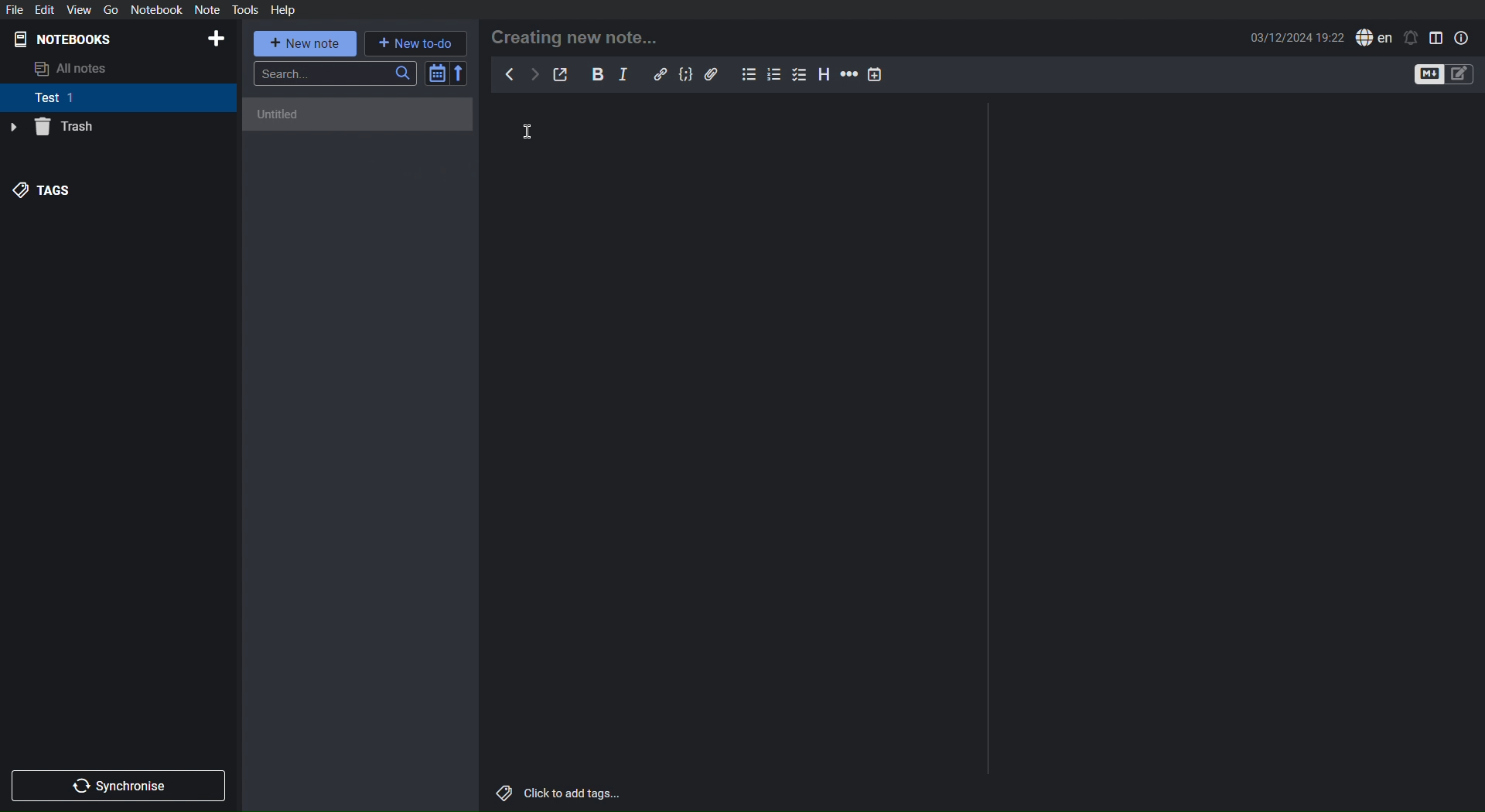  What do you see at coordinates (446, 73) in the screenshot?
I see `Sort` at bounding box center [446, 73].